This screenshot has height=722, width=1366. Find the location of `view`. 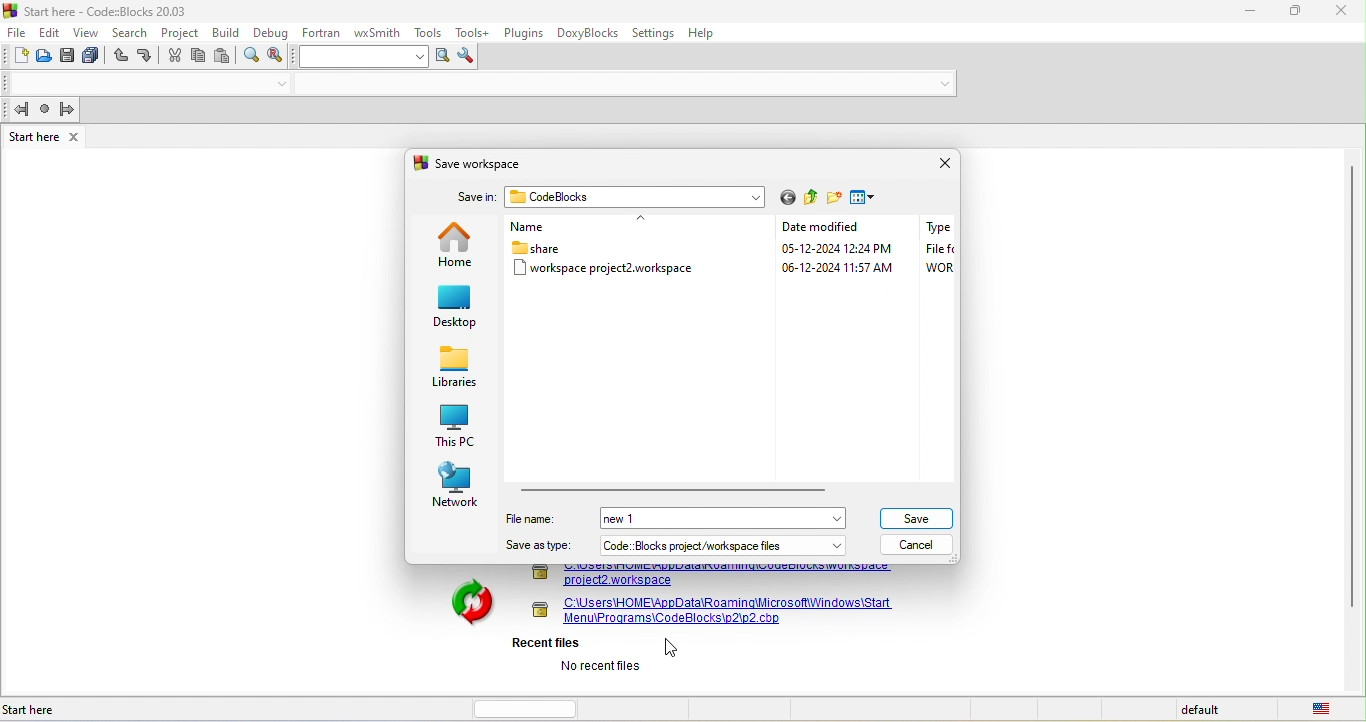

view is located at coordinates (86, 32).